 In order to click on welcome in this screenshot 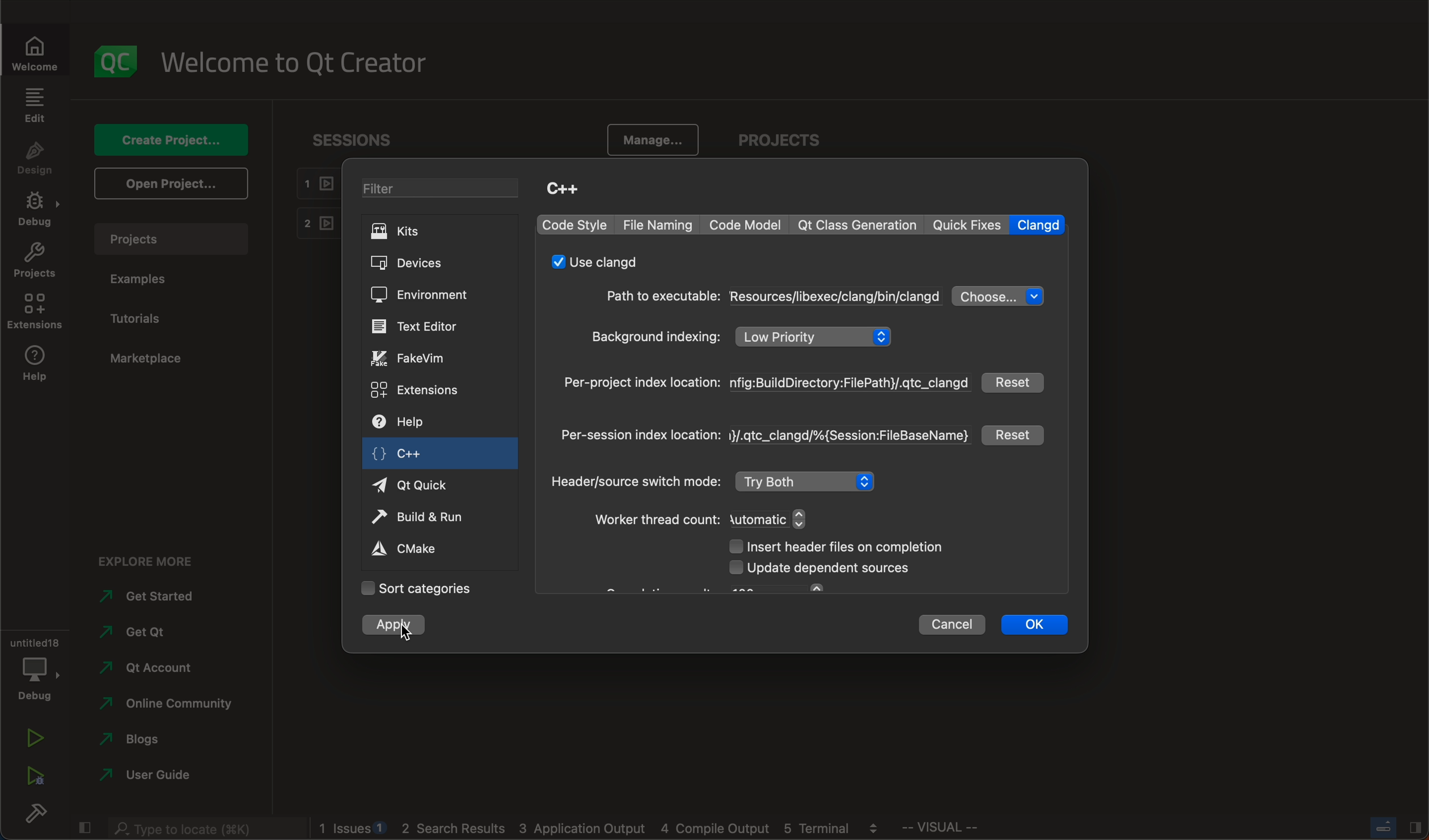, I will do `click(307, 60)`.